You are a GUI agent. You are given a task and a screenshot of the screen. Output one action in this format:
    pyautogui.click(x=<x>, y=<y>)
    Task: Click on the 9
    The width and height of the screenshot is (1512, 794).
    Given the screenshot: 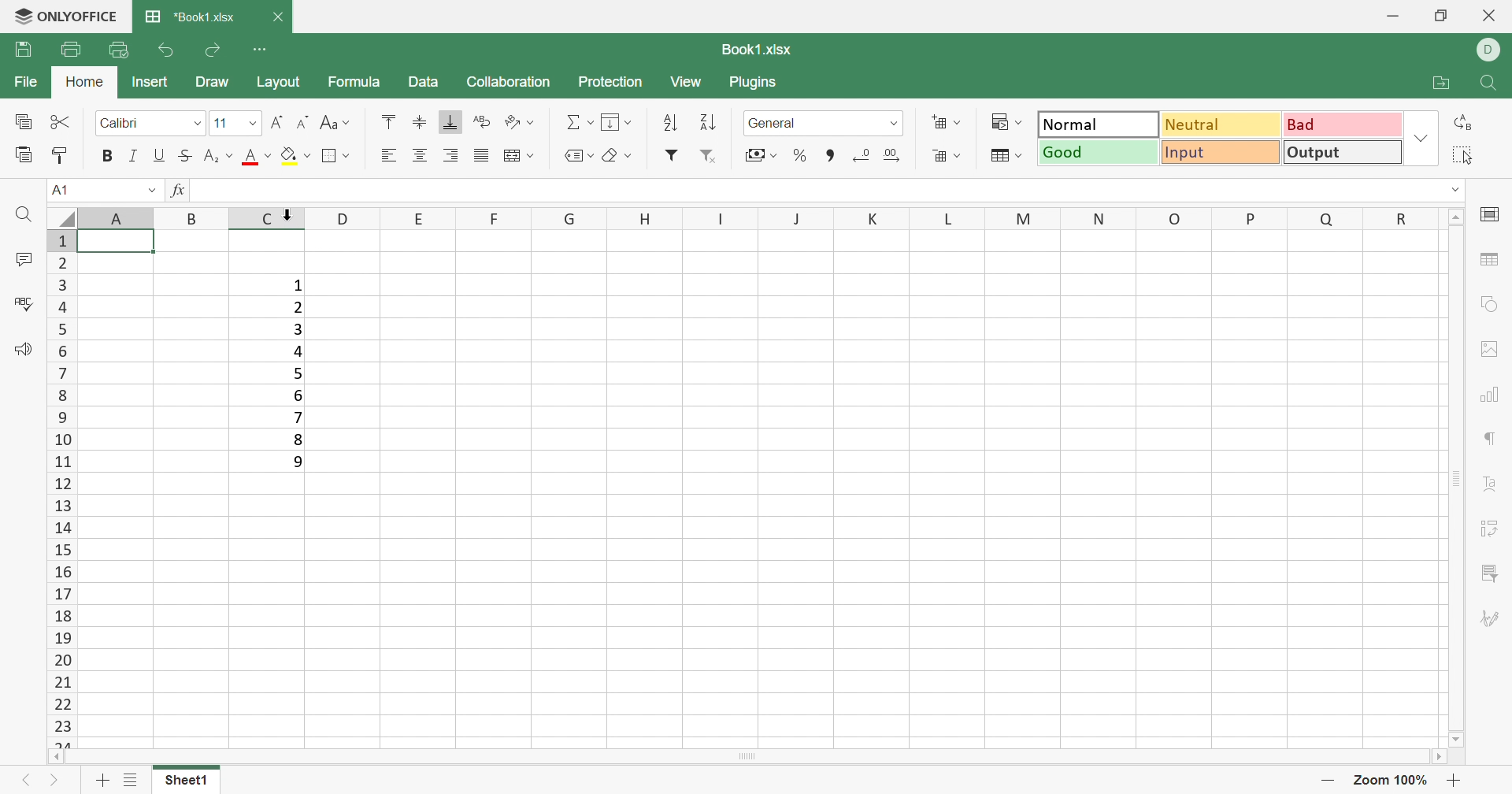 What is the action you would take?
    pyautogui.click(x=298, y=462)
    